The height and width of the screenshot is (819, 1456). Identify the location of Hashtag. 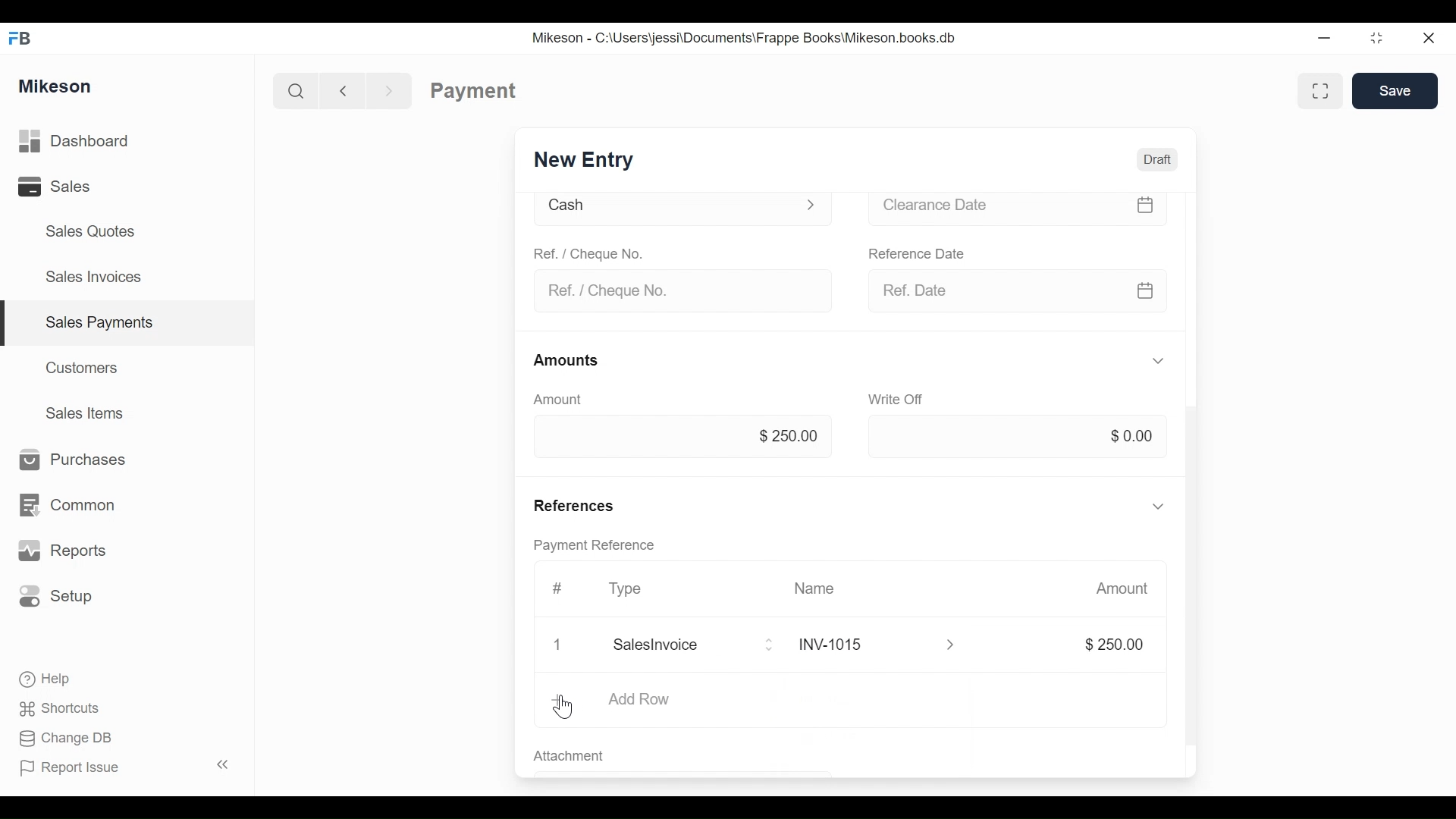
(557, 590).